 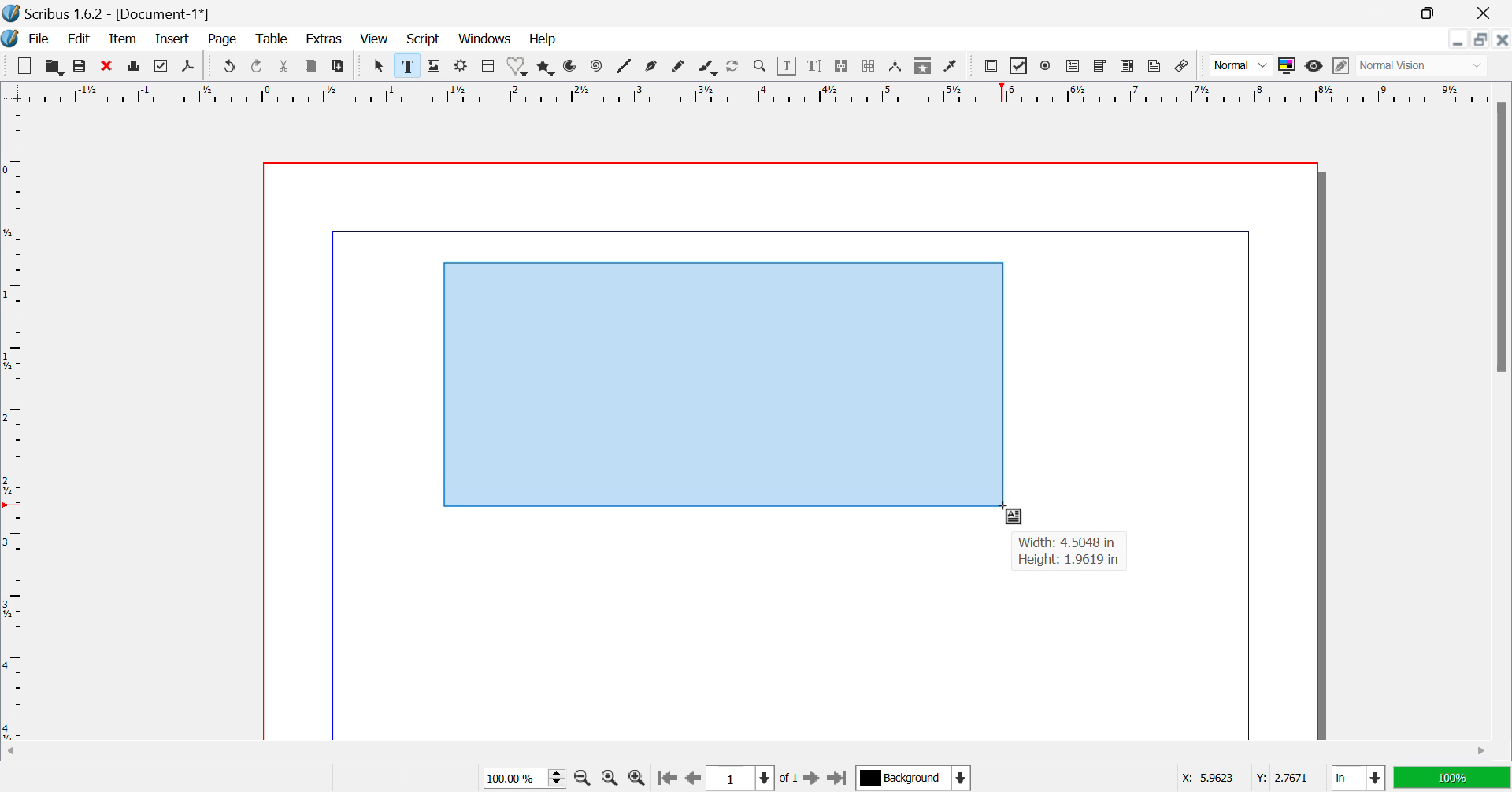 What do you see at coordinates (736, 751) in the screenshot?
I see `Horizontal Scroll Bar` at bounding box center [736, 751].